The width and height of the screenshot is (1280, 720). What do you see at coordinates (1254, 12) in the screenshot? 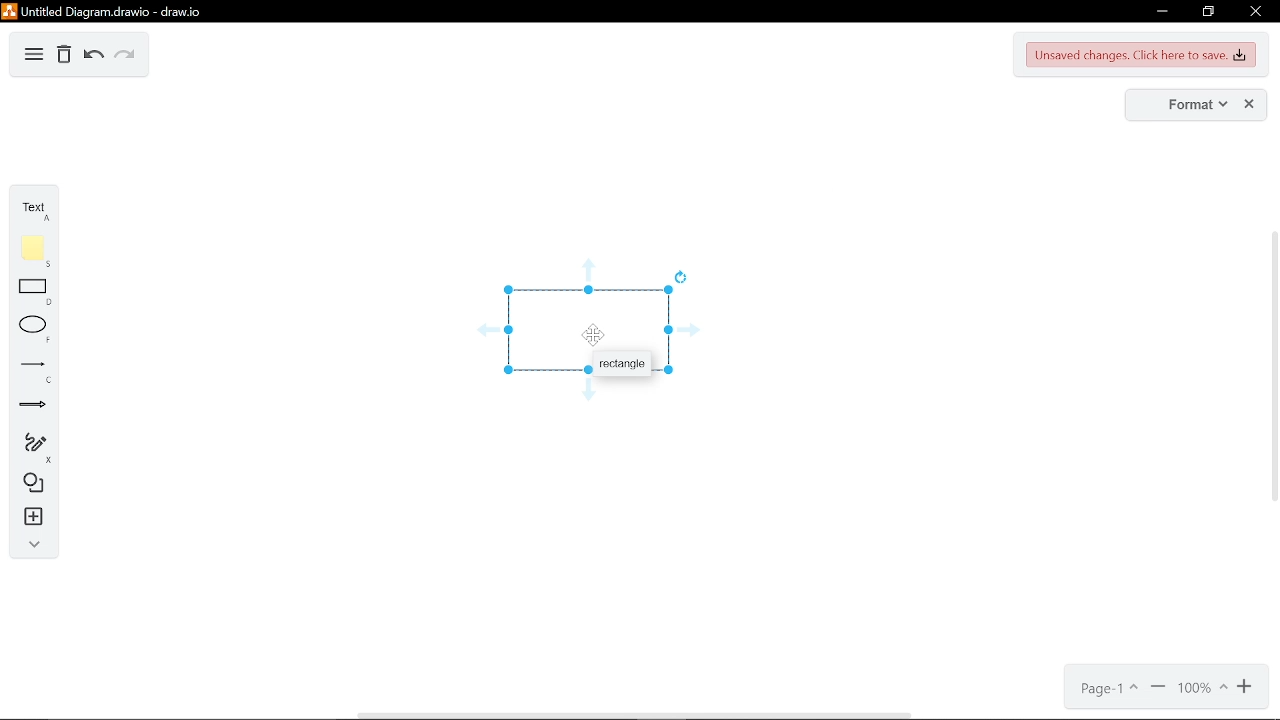
I see `close` at bounding box center [1254, 12].